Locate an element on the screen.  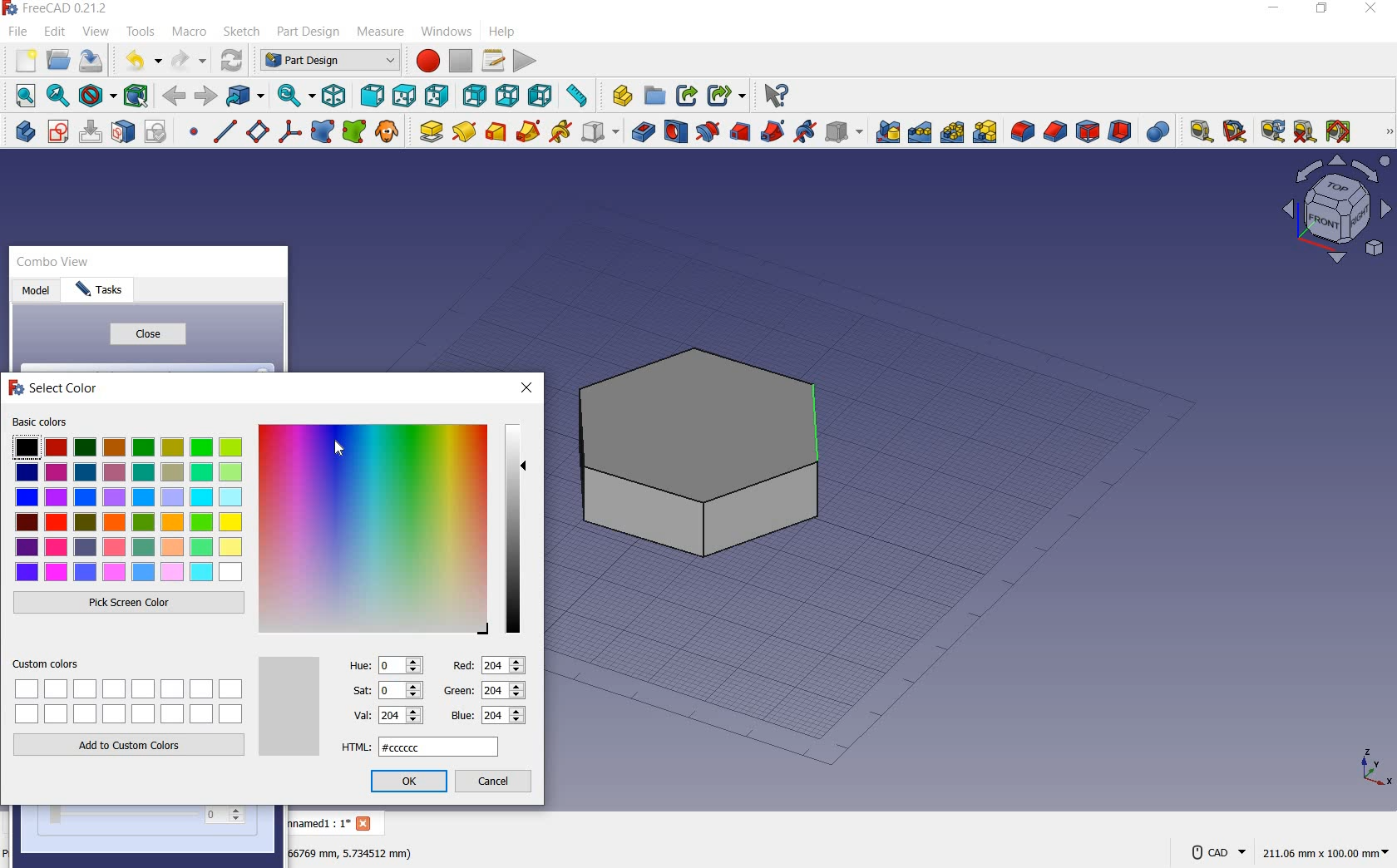
create a cloe is located at coordinates (388, 132).